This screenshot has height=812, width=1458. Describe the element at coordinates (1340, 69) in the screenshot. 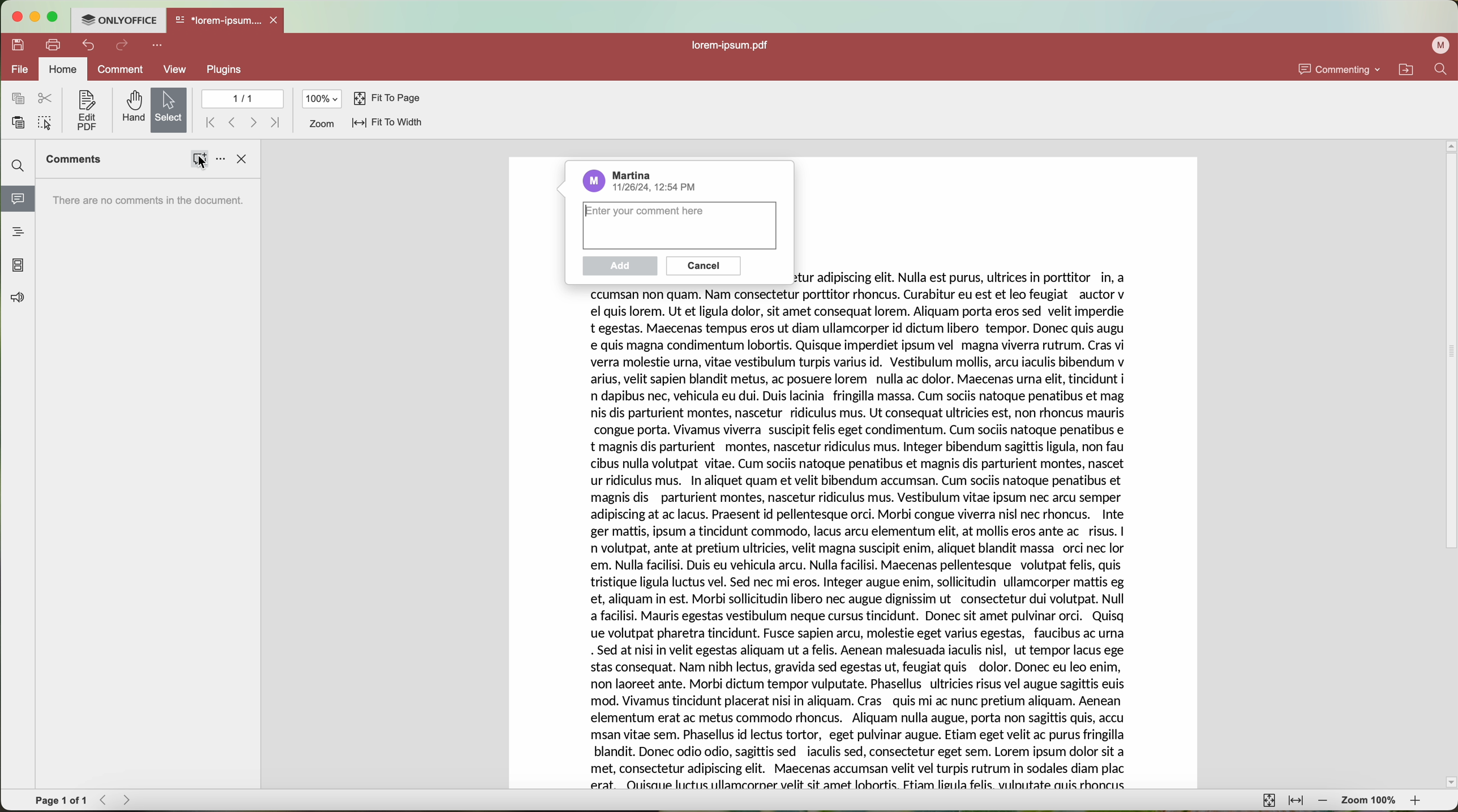

I see `commenting` at that location.